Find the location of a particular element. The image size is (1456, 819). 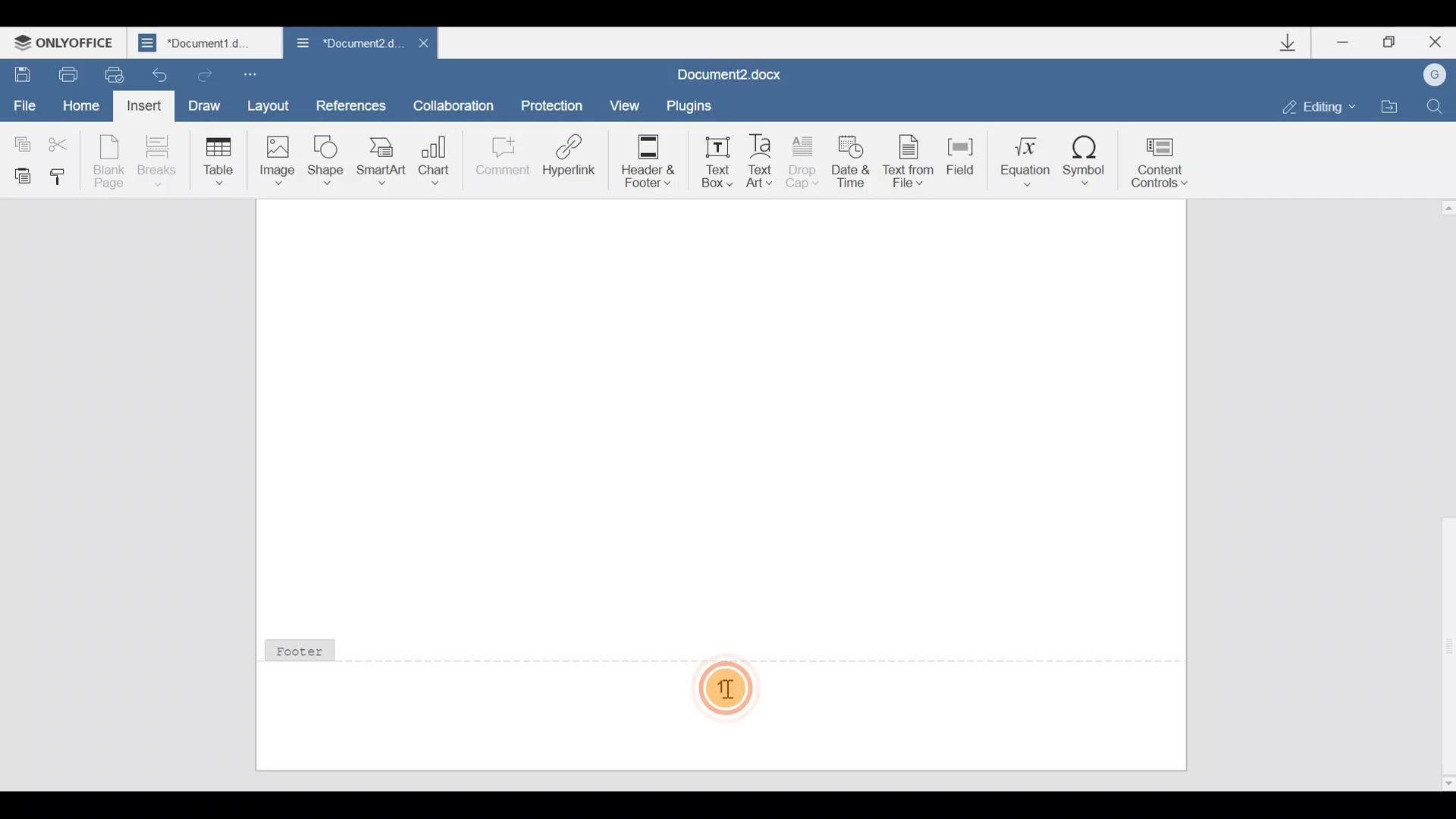

Quick print is located at coordinates (115, 74).